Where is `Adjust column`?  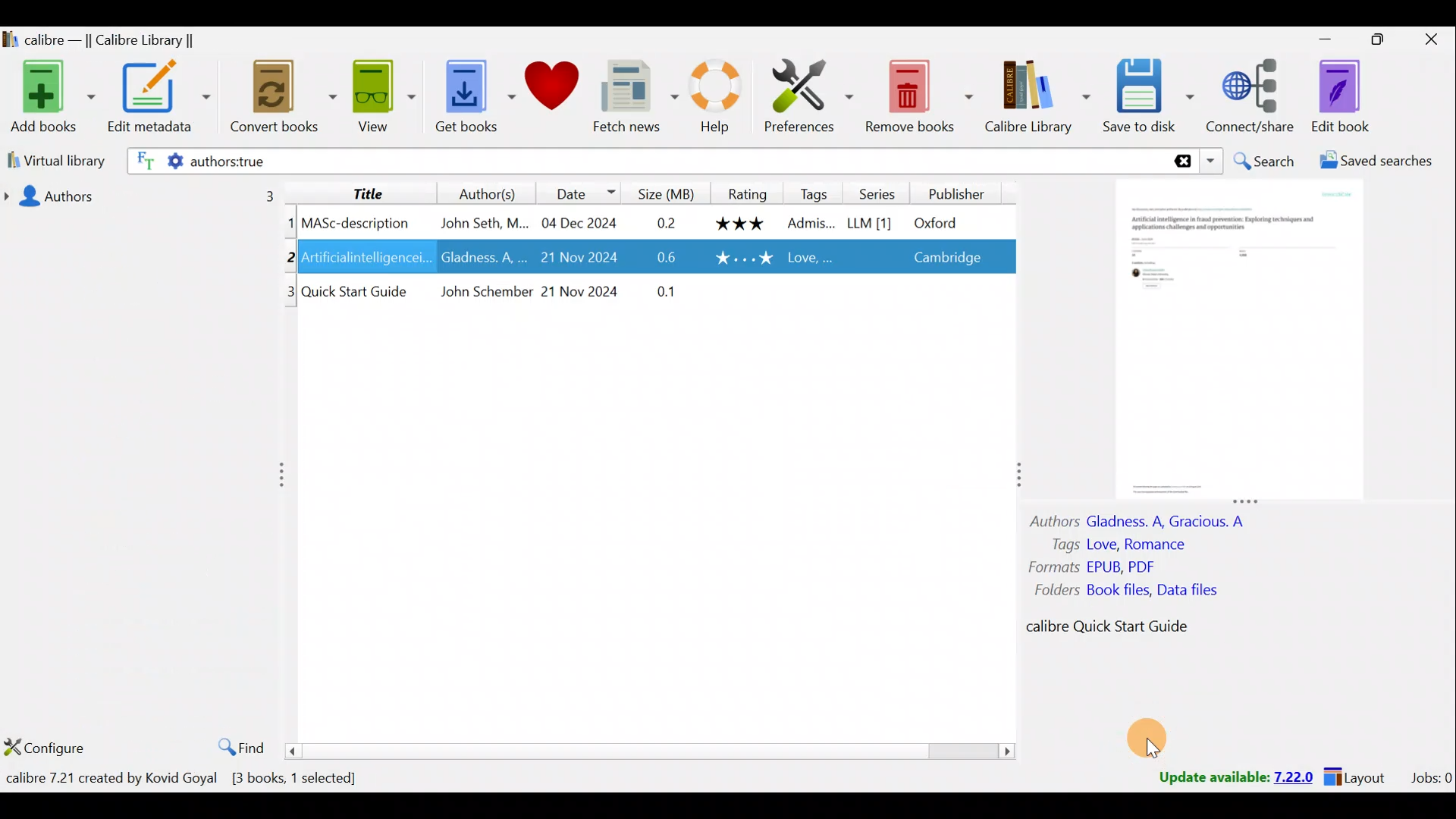
Adjust column is located at coordinates (287, 475).